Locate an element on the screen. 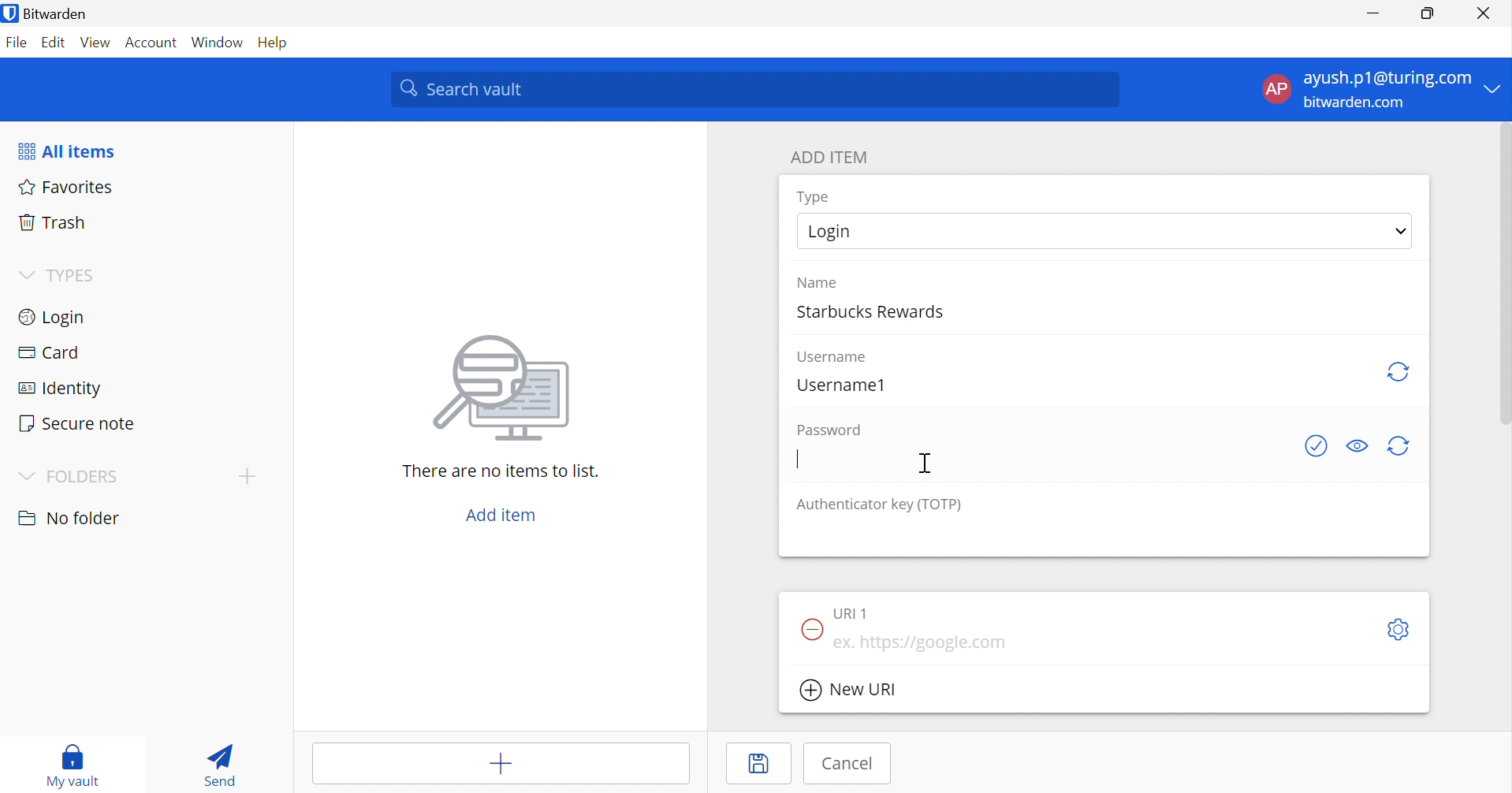  ADD ITEM is located at coordinates (831, 158).